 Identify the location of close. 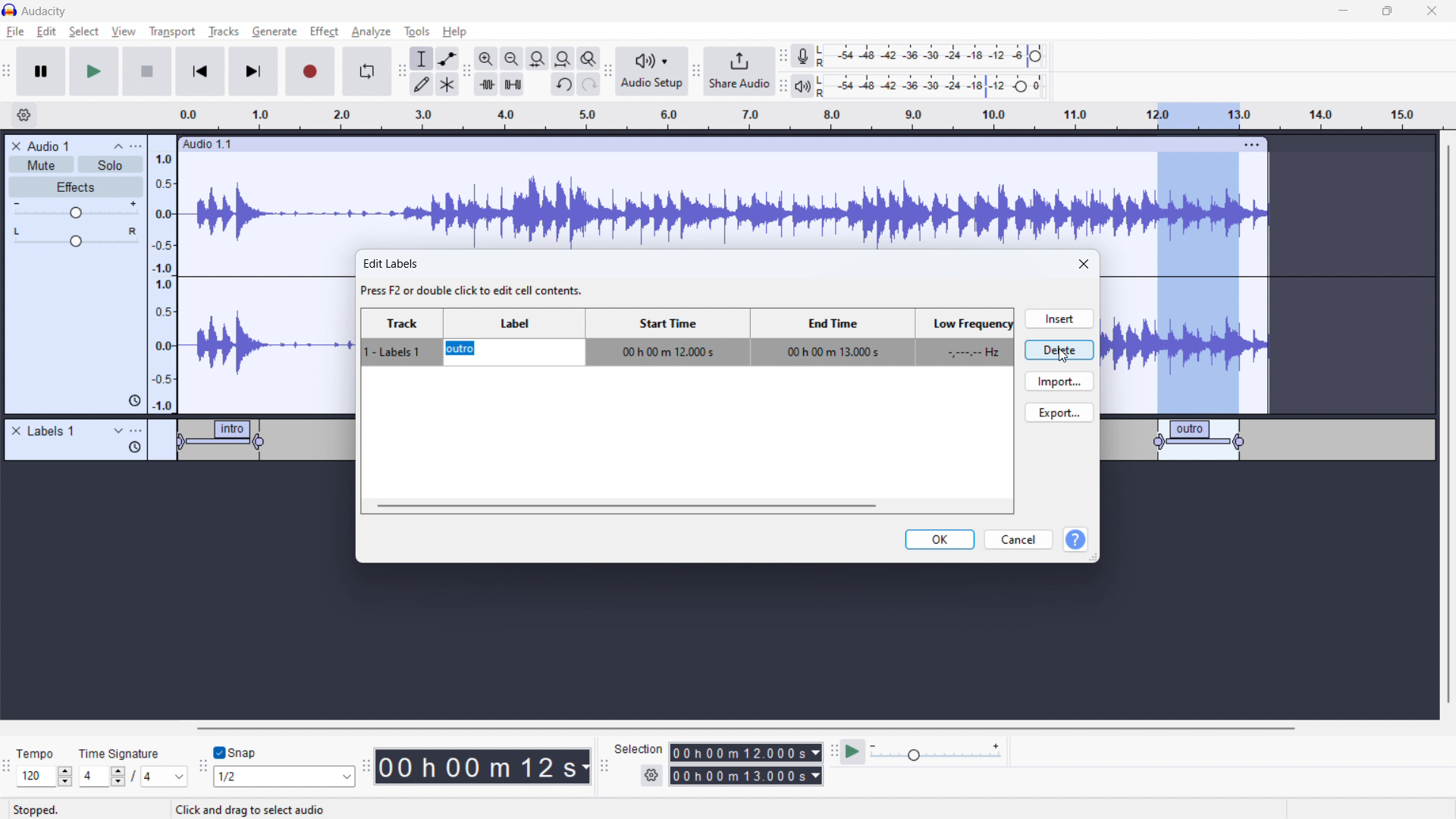
(1085, 265).